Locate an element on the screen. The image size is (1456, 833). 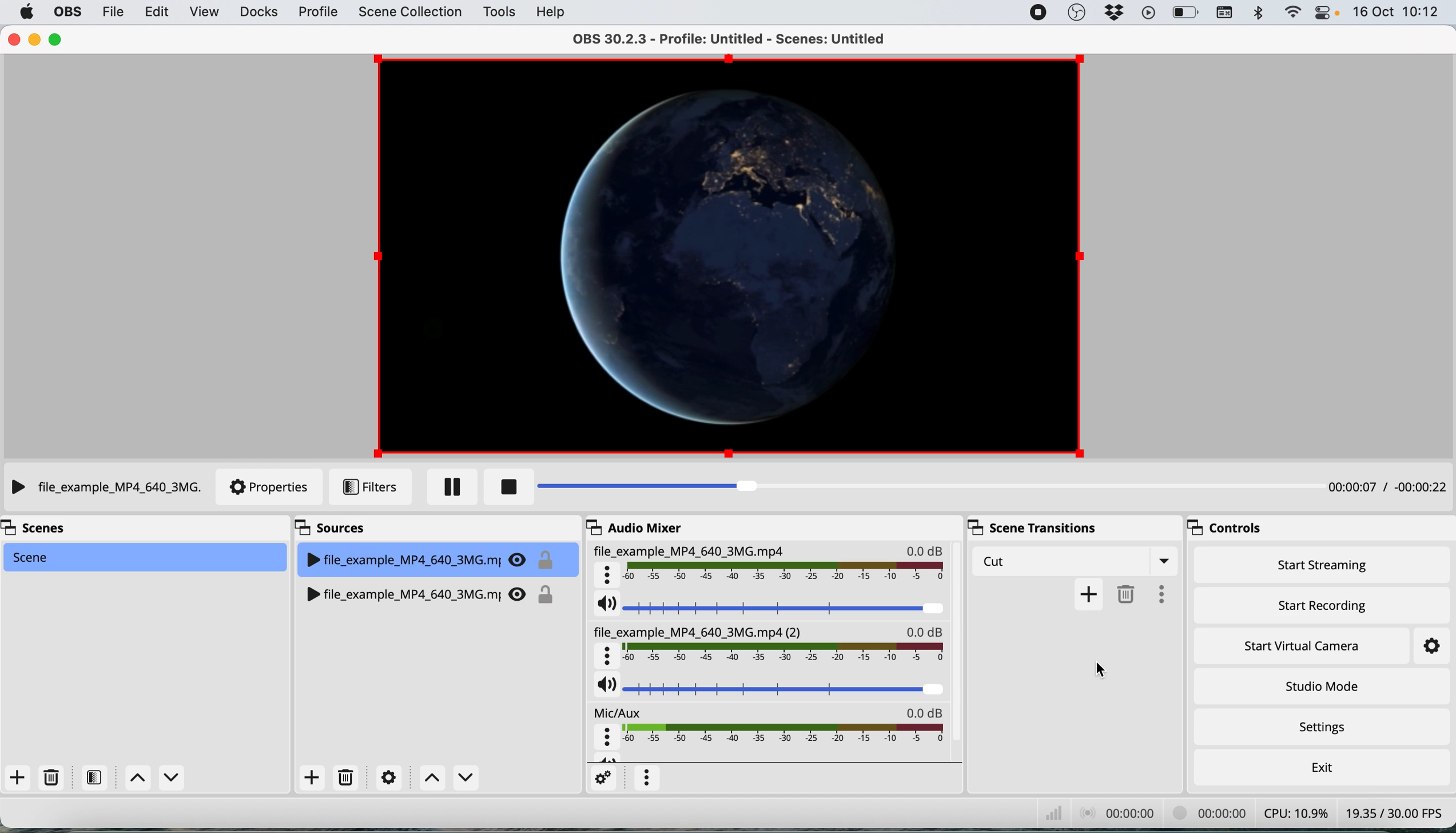
keyboard is located at coordinates (1227, 13).